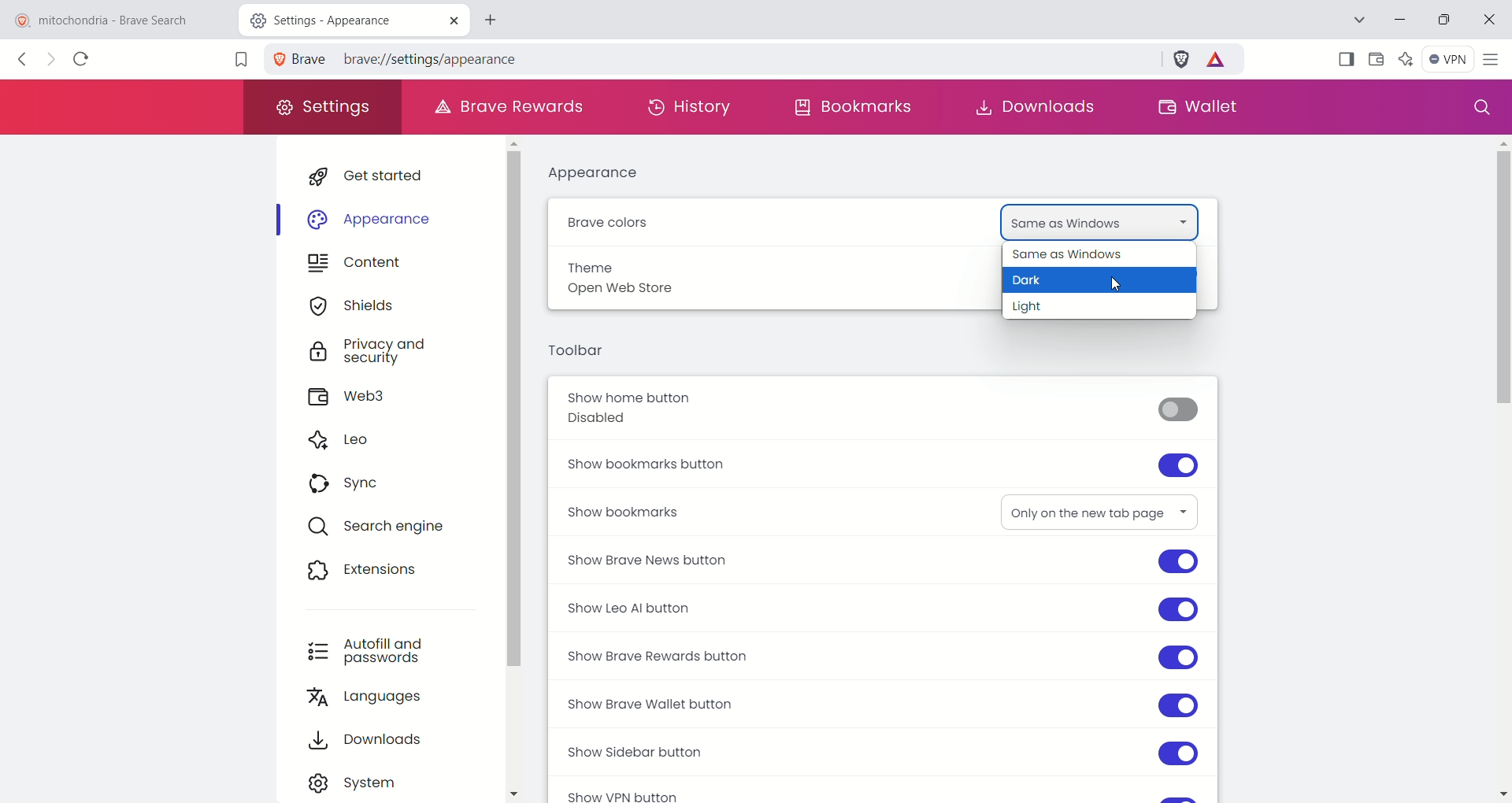 The image size is (1512, 803). I want to click on show brave news button, so click(880, 561).